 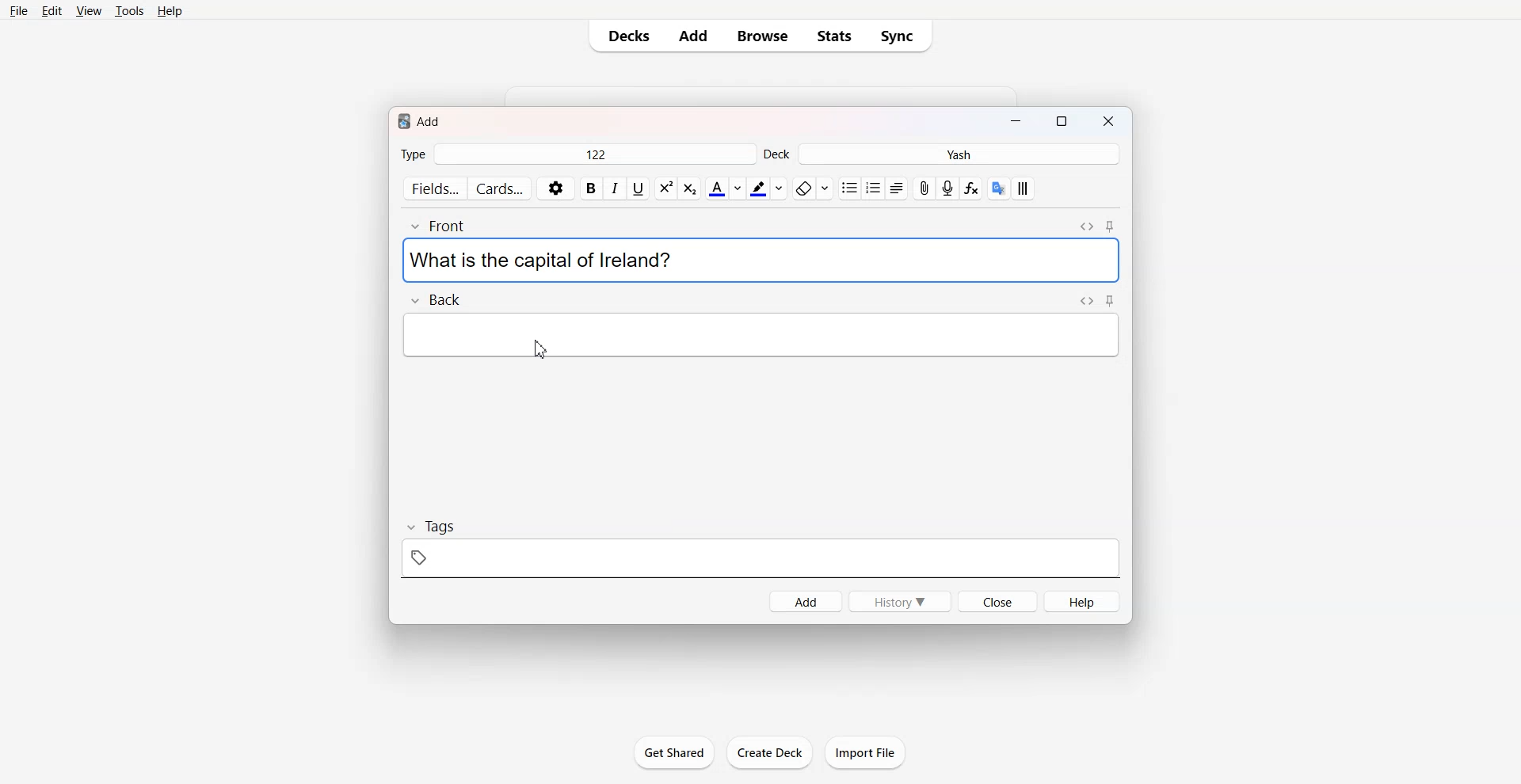 I want to click on Subscript, so click(x=665, y=188).